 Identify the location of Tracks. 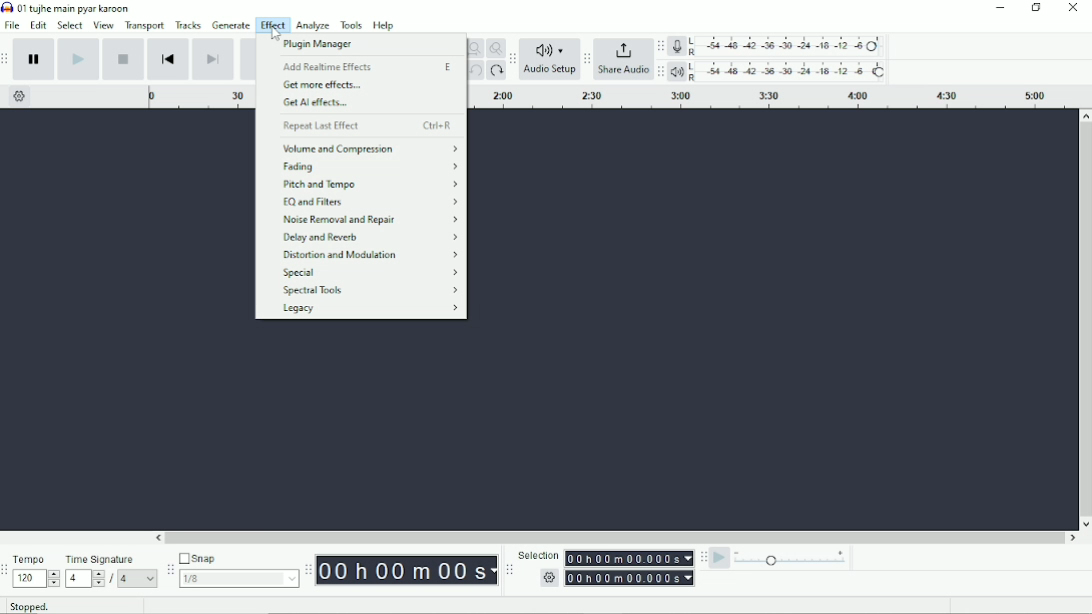
(189, 25).